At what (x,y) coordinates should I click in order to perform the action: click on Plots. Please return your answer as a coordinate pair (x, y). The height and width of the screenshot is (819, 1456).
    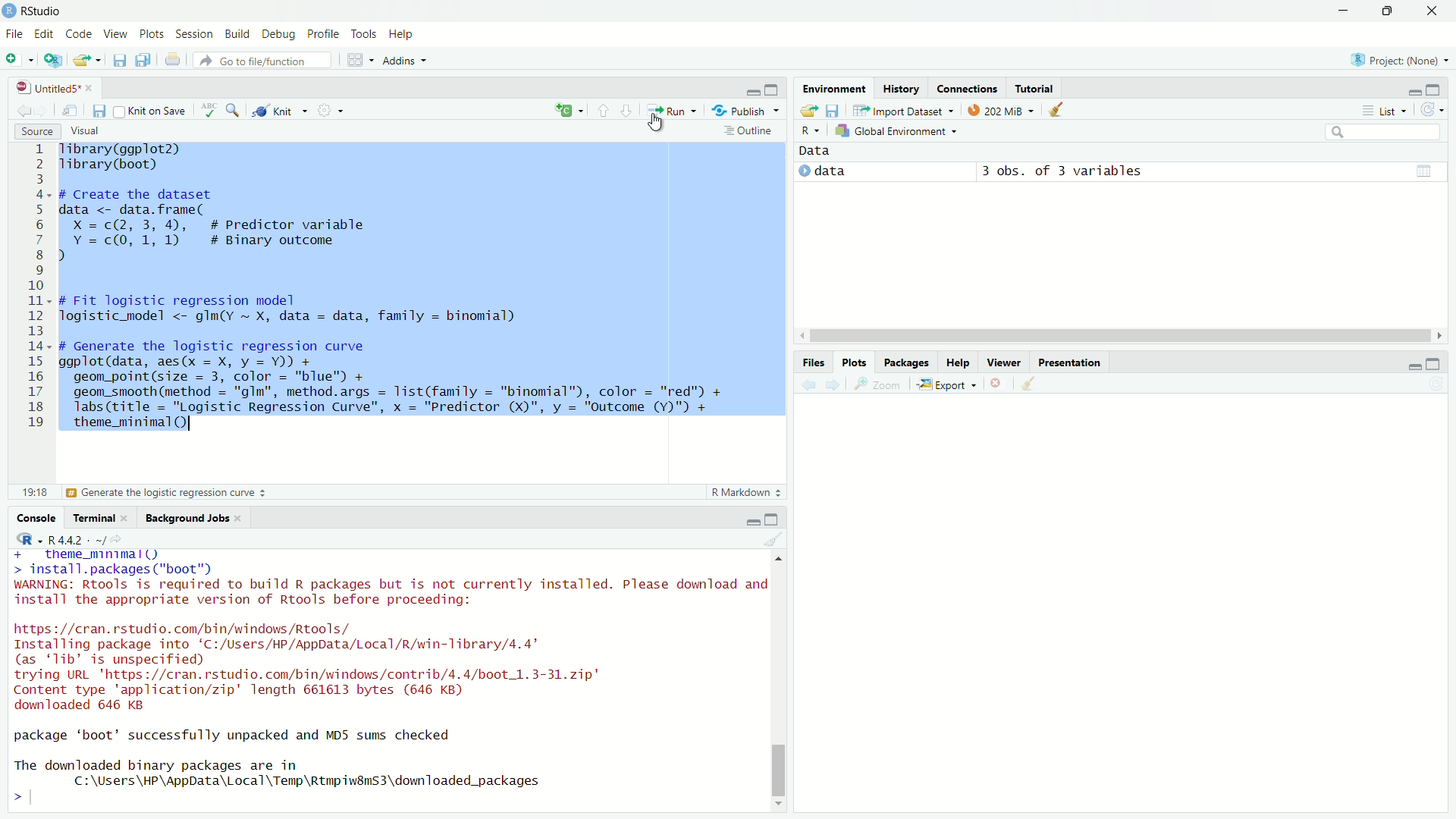
    Looking at the image, I should click on (855, 362).